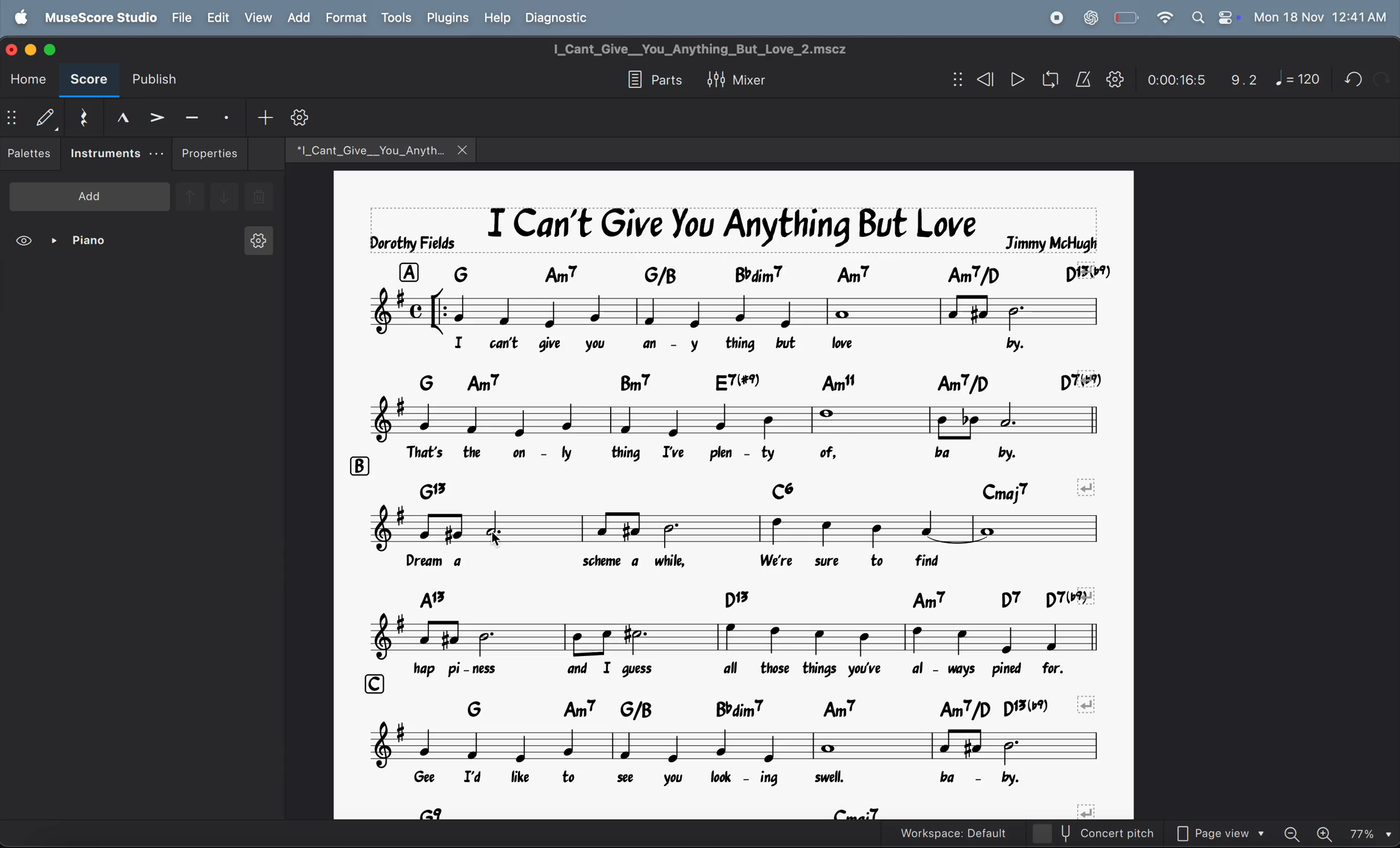 The image size is (1400, 848). Describe the element at coordinates (720, 419) in the screenshot. I see `notes` at that location.